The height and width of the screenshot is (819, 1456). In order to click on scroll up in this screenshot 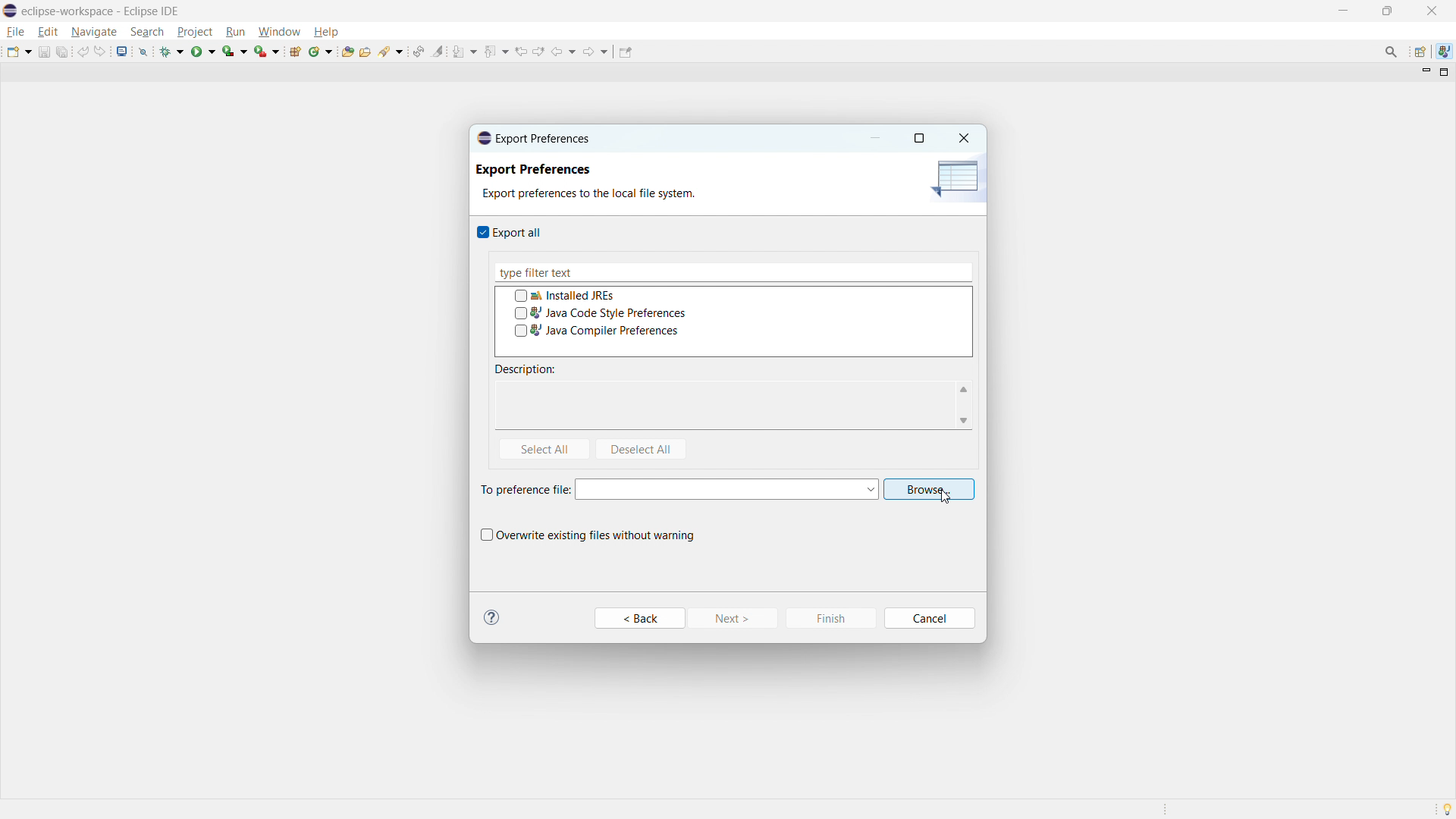, I will do `click(962, 388)`.